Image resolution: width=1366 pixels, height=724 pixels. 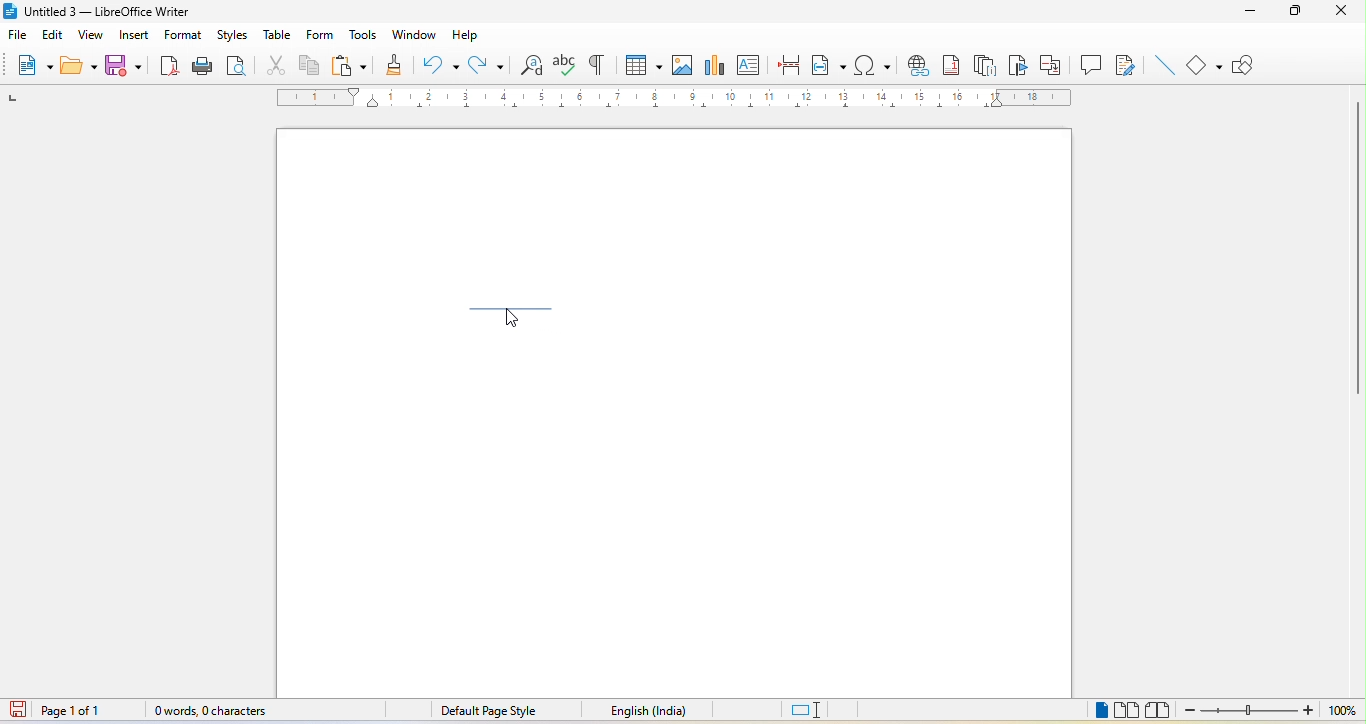 What do you see at coordinates (487, 710) in the screenshot?
I see `default page style` at bounding box center [487, 710].